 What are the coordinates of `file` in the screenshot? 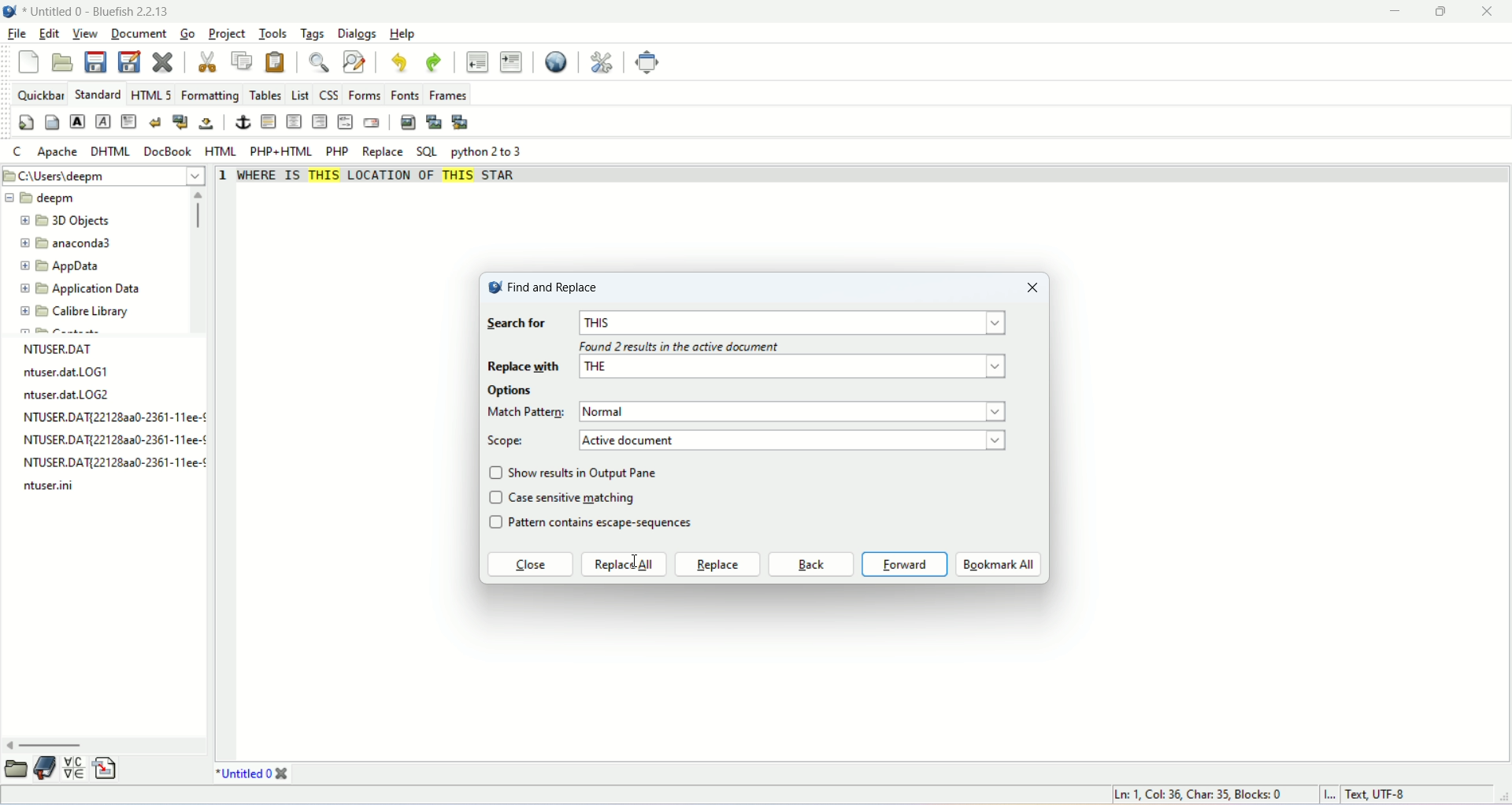 It's located at (15, 33).